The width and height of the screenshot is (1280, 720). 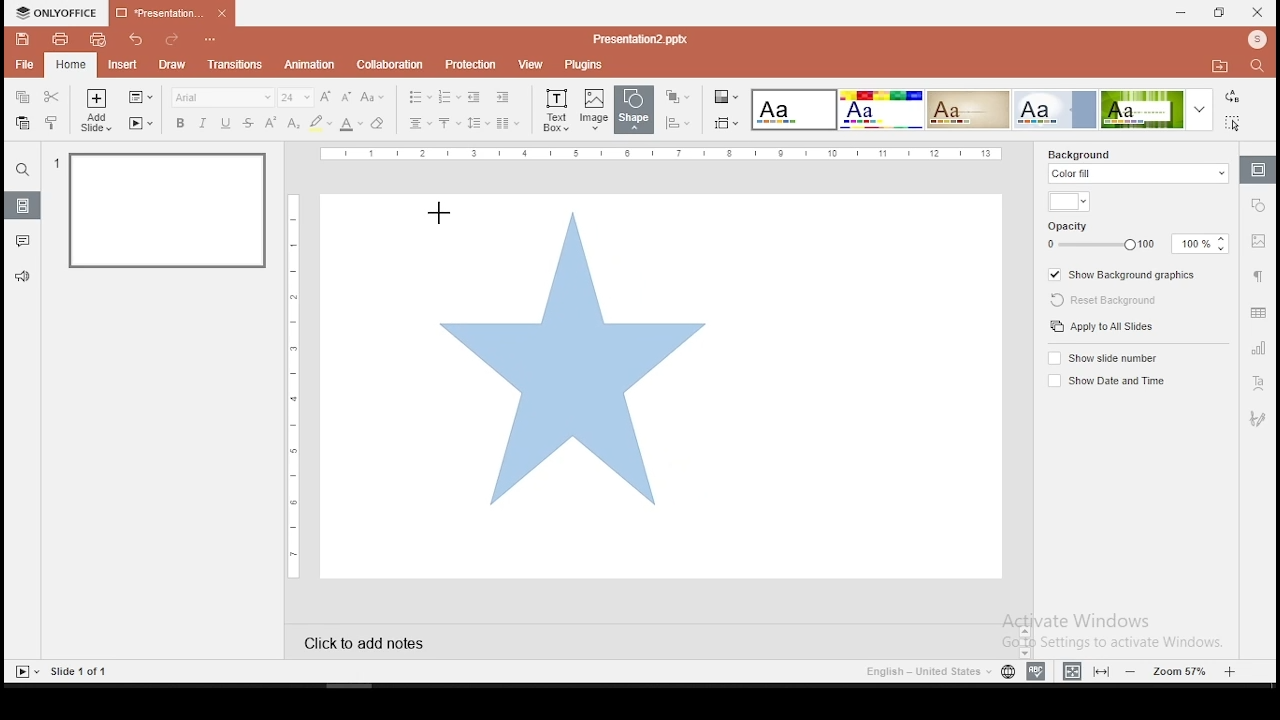 What do you see at coordinates (328, 98) in the screenshot?
I see `increase font size` at bounding box center [328, 98].